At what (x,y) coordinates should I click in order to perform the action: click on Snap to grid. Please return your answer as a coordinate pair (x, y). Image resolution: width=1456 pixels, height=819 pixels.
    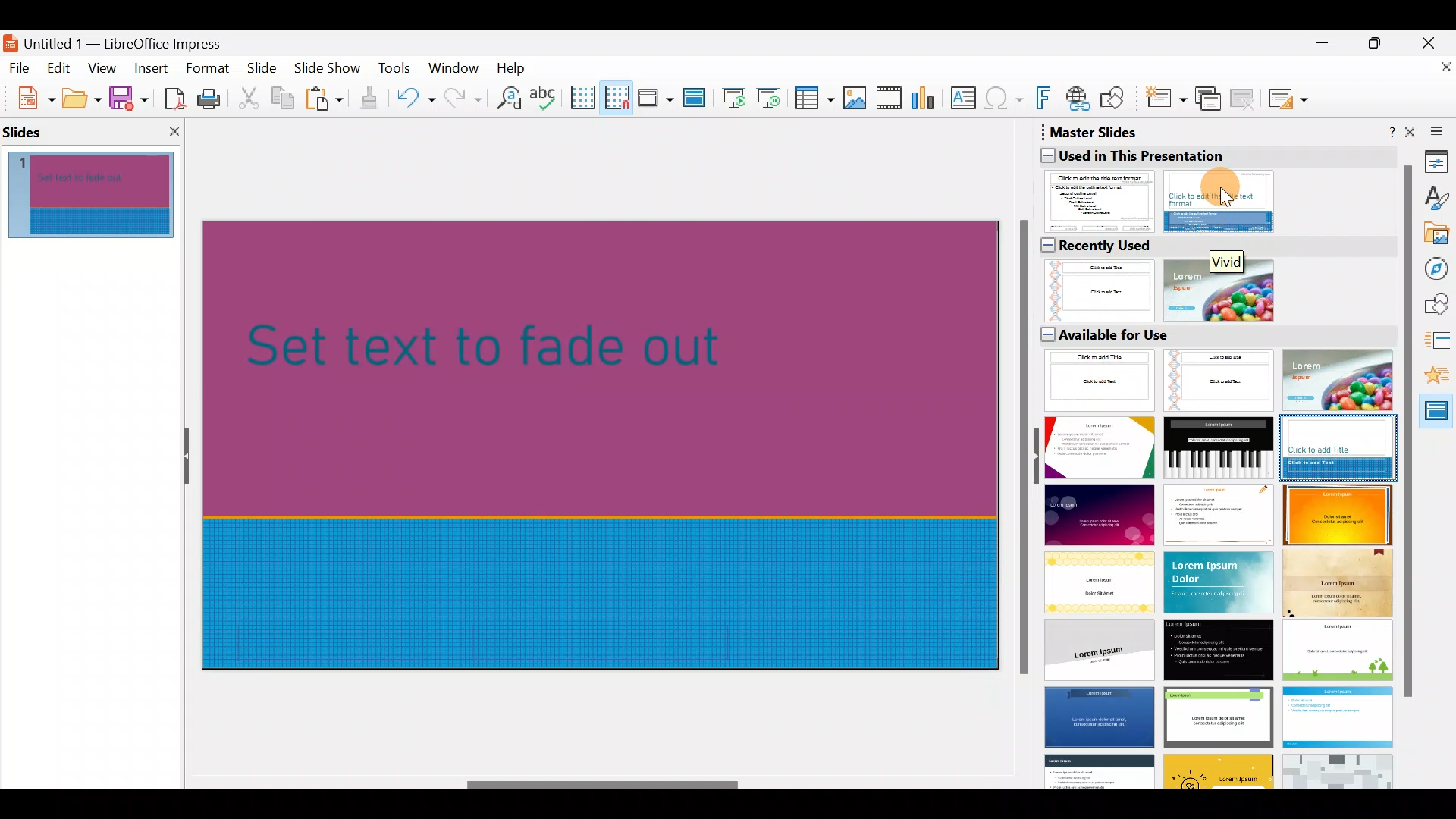
    Looking at the image, I should click on (614, 97).